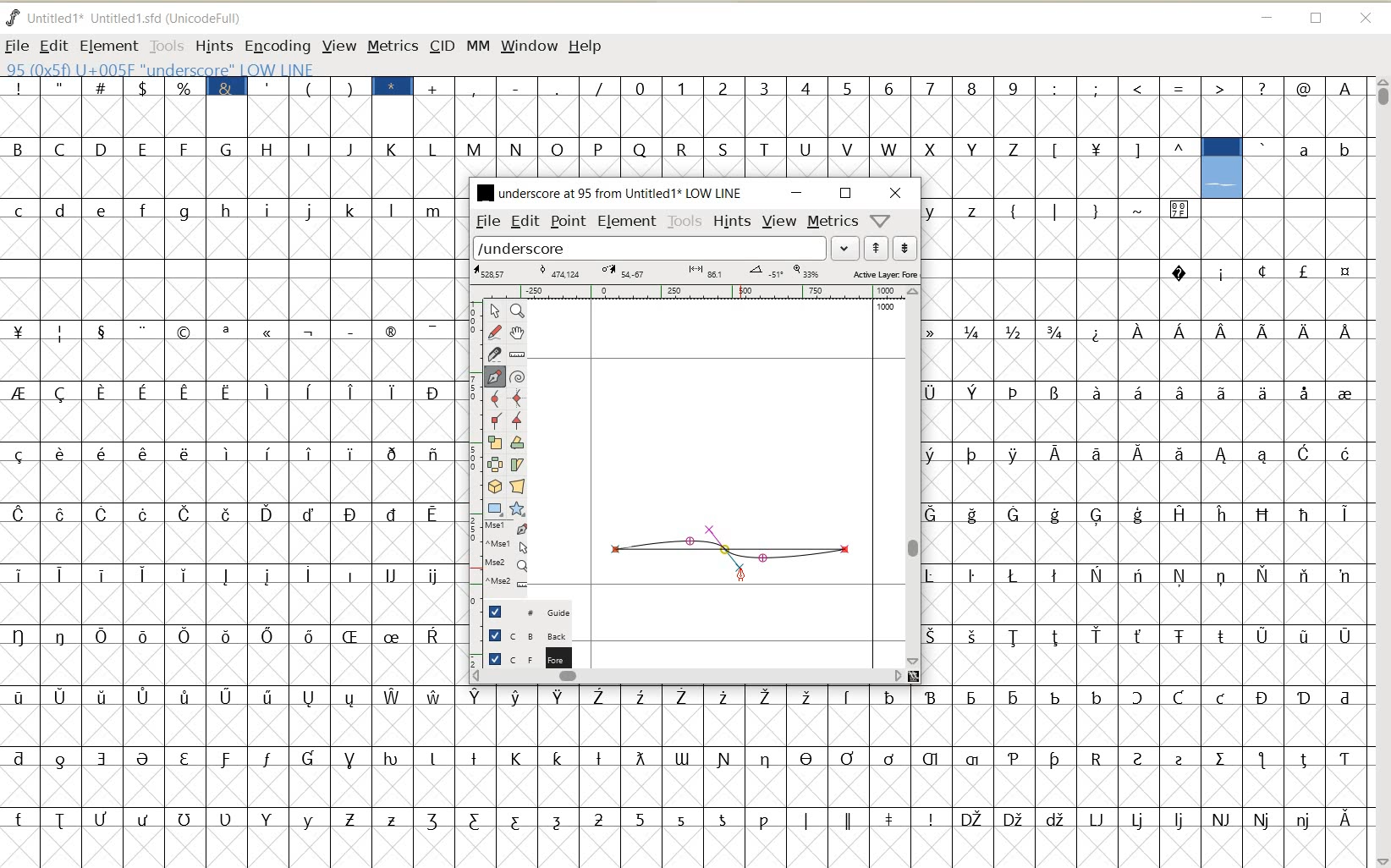 The width and height of the screenshot is (1391, 868). I want to click on CLOSE, so click(896, 193).